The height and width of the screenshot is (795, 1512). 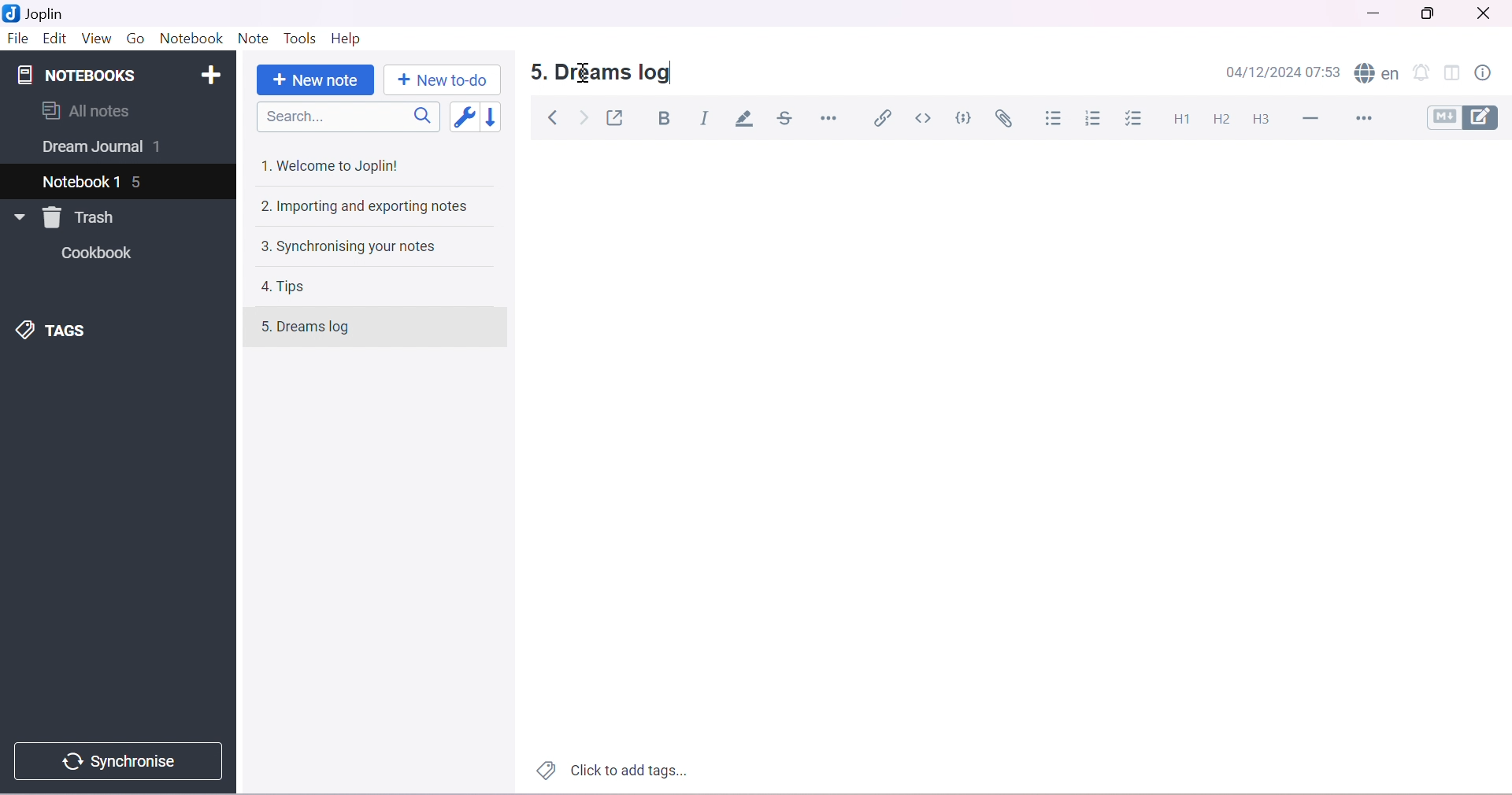 What do you see at coordinates (1055, 119) in the screenshot?
I see `Bulleted list` at bounding box center [1055, 119].